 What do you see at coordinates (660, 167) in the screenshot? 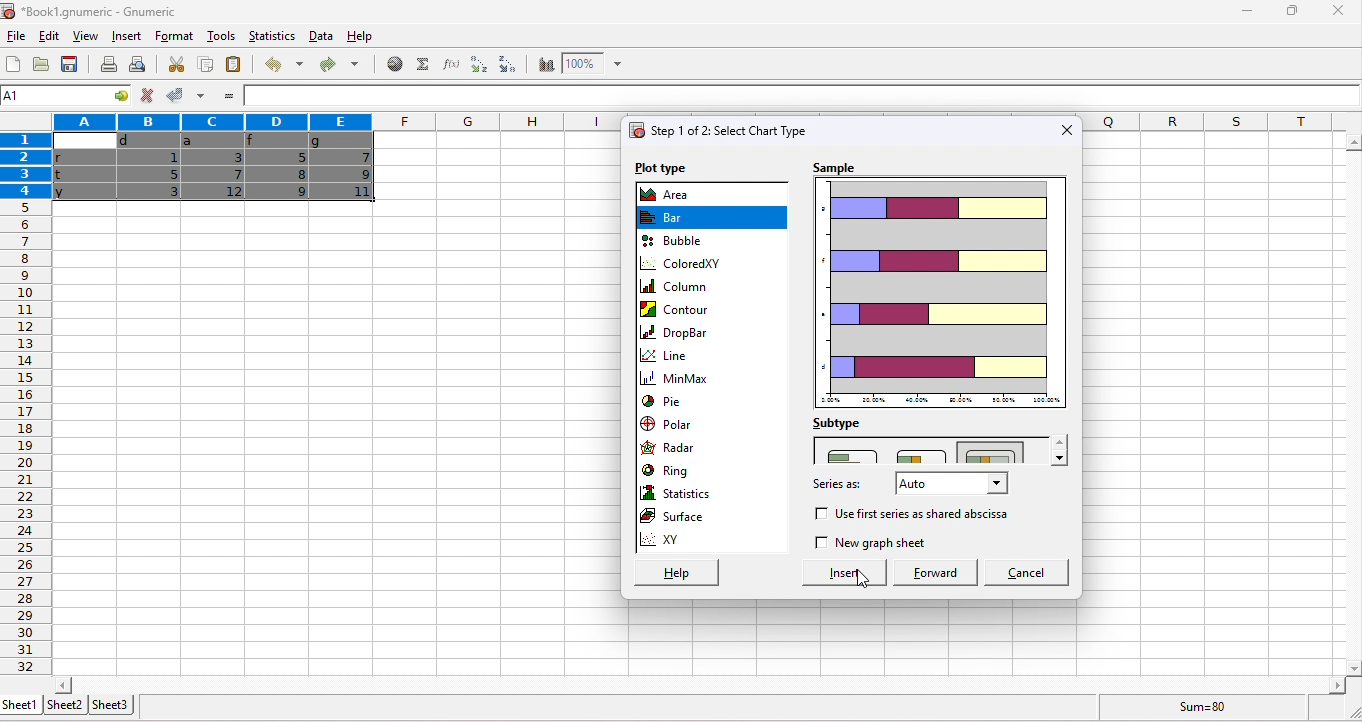
I see `plot type` at bounding box center [660, 167].